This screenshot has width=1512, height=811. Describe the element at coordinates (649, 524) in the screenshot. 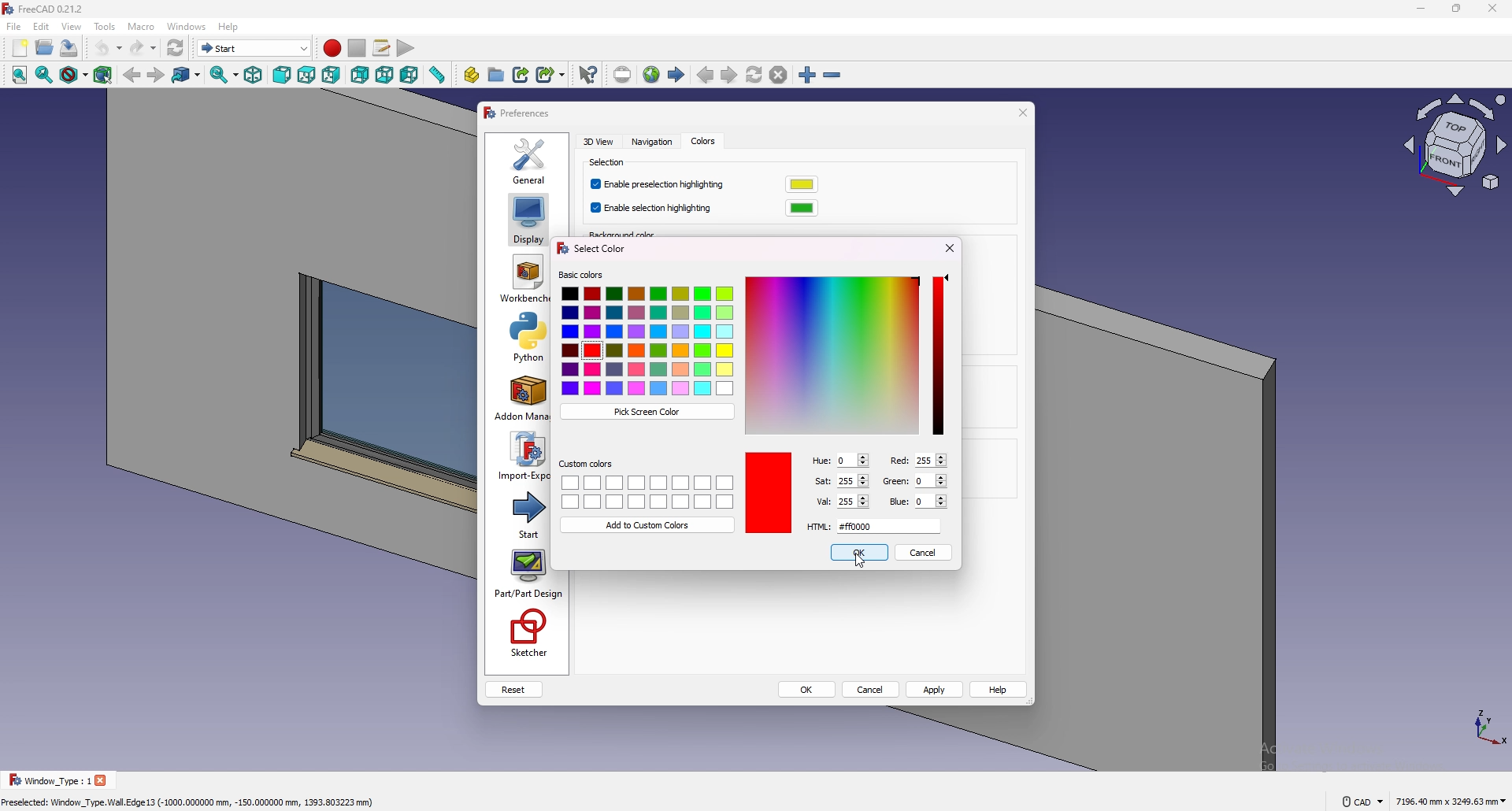

I see `Add to Custom Colors` at that location.